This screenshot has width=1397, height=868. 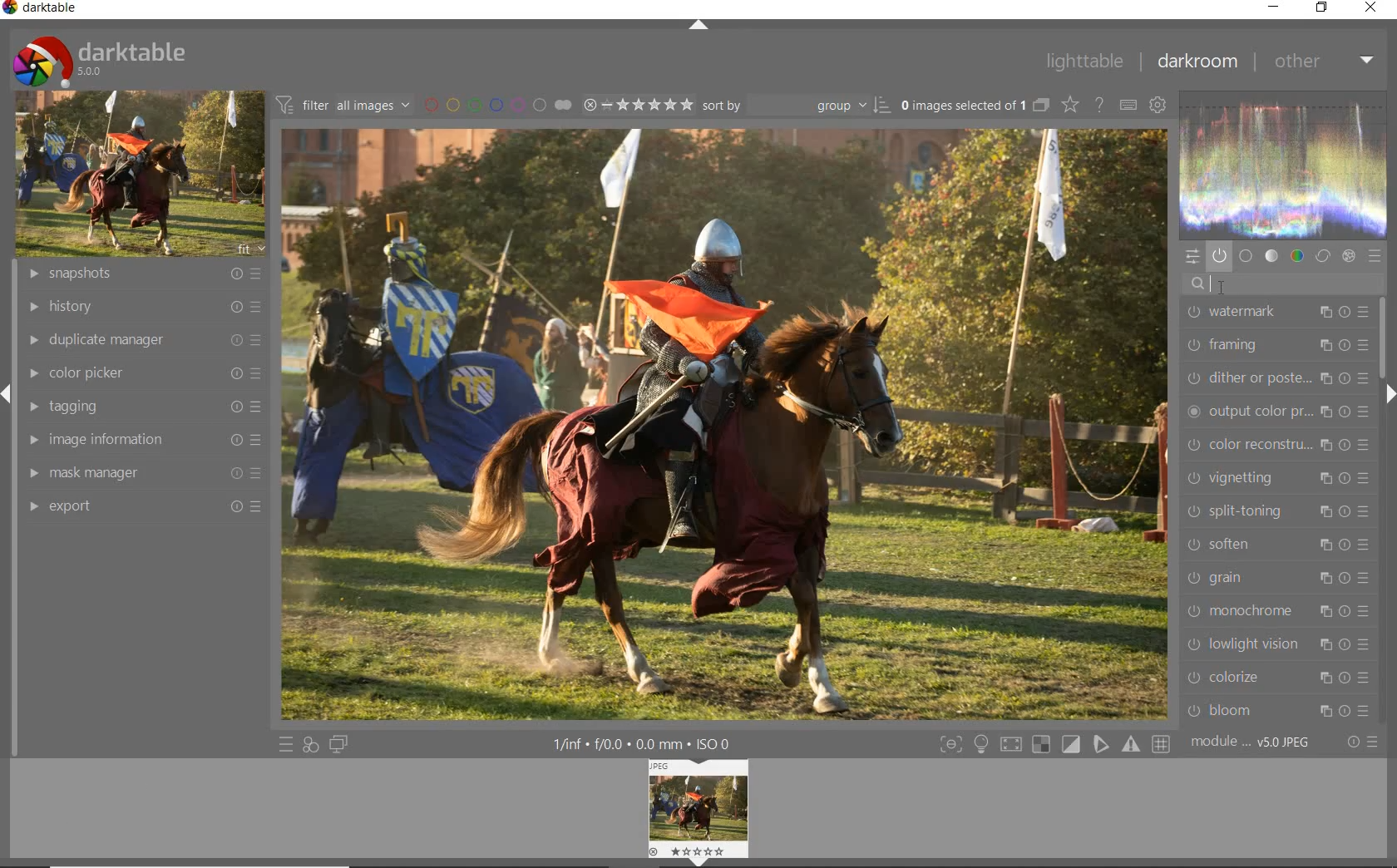 I want to click on framing, so click(x=1275, y=344).